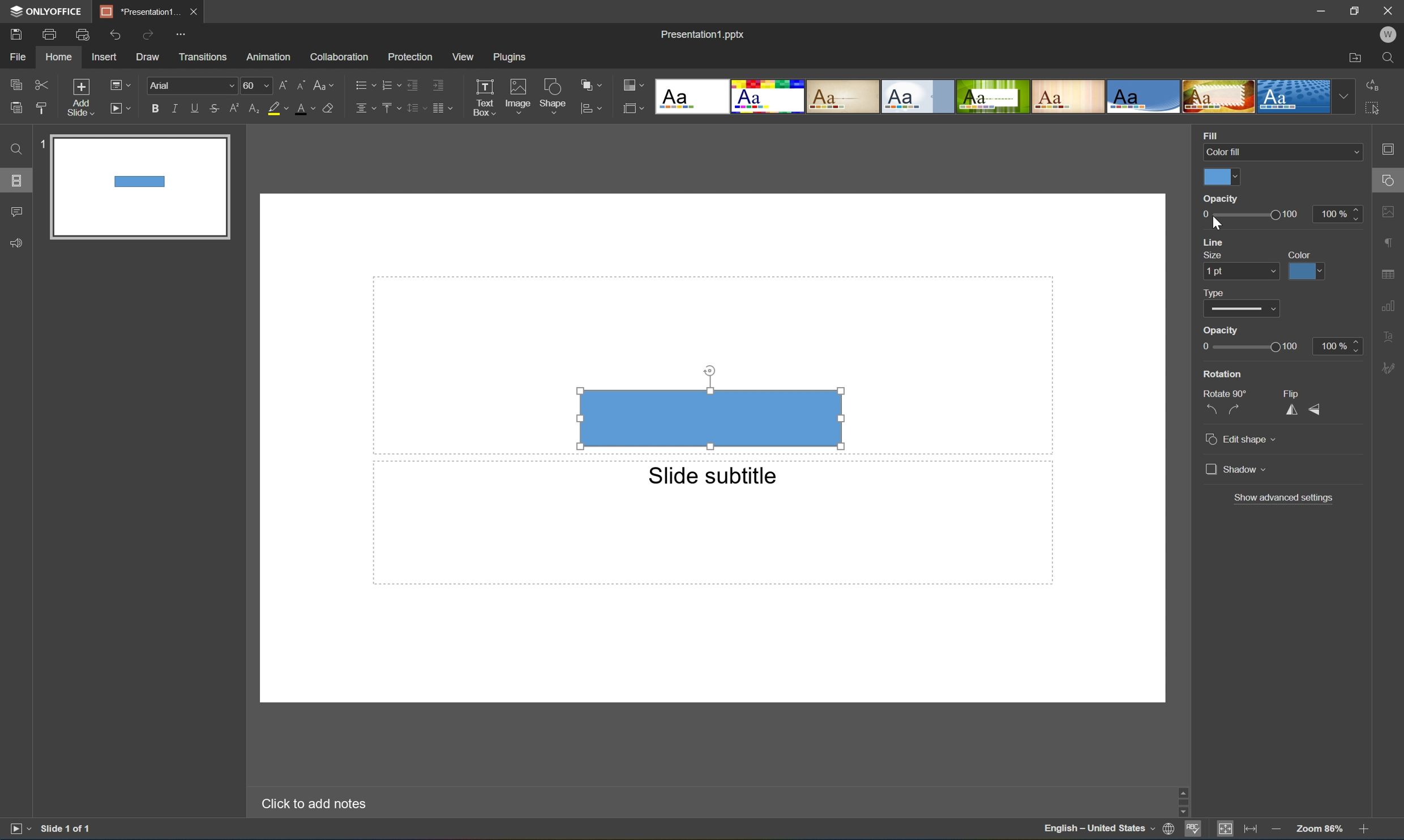  I want to click on Print a file, so click(50, 34).